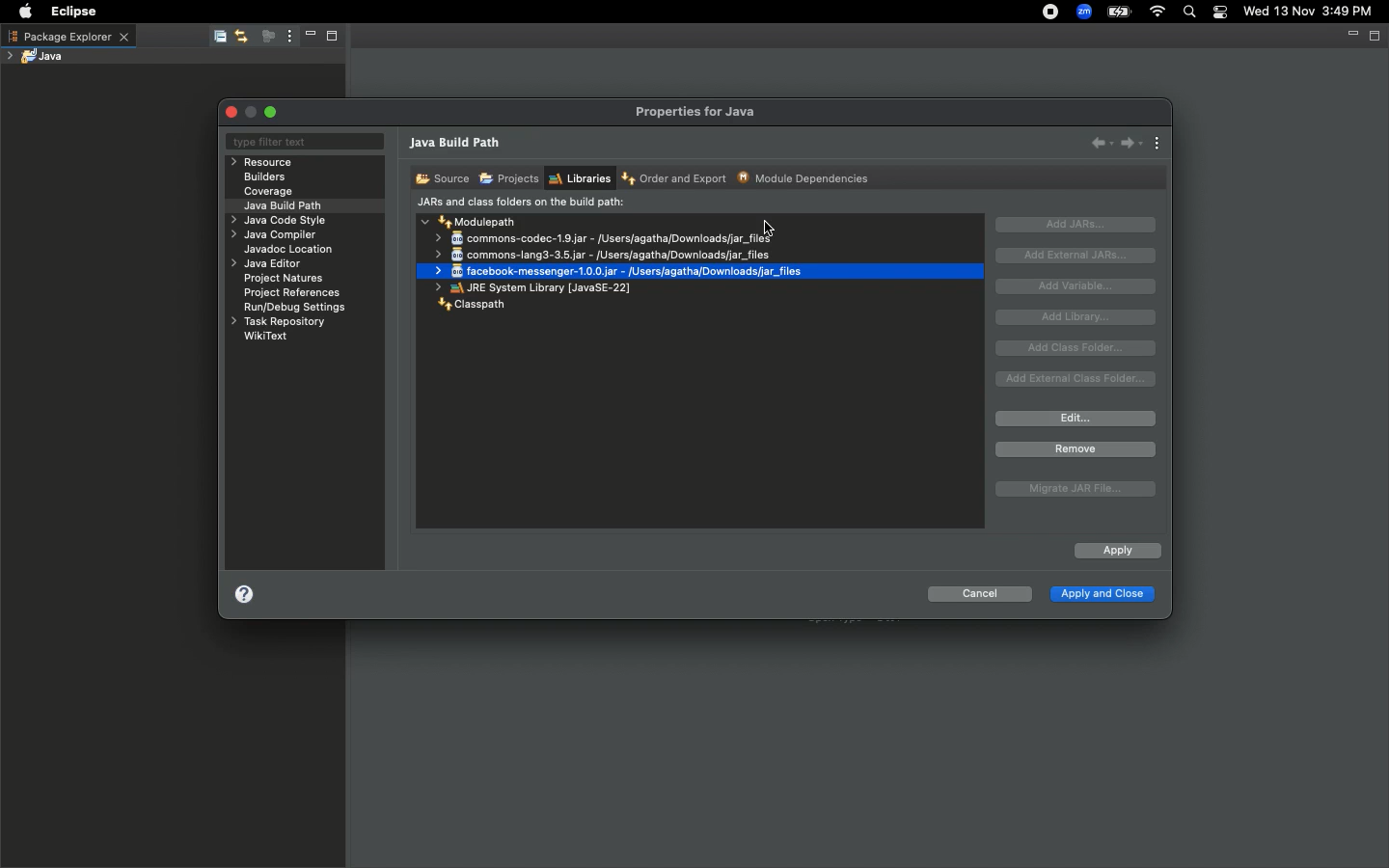 This screenshot has height=868, width=1389. I want to click on Back, so click(1102, 142).